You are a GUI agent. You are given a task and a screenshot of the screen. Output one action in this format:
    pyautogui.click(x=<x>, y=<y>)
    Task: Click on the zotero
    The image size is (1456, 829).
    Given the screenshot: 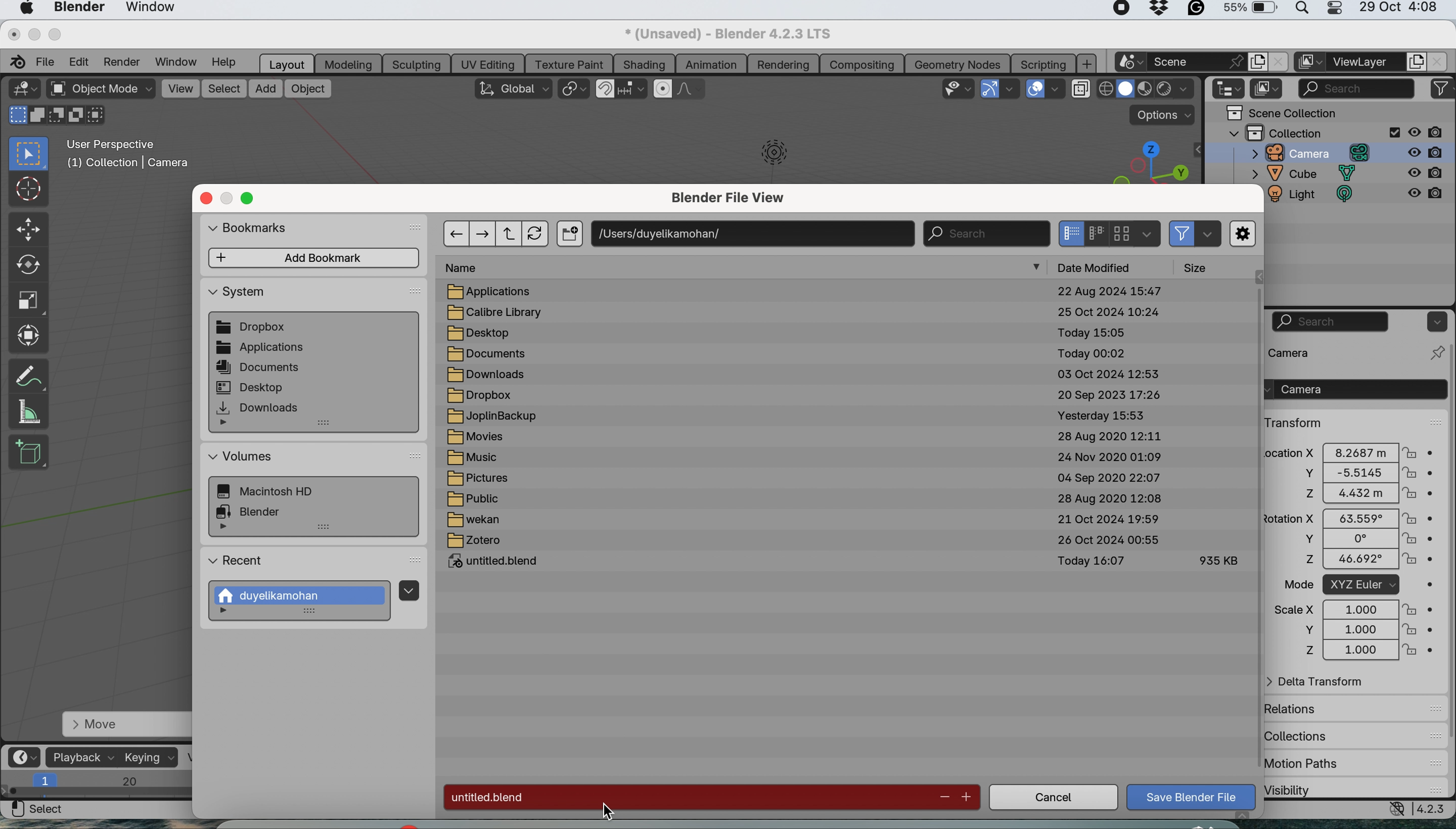 What is the action you would take?
    pyautogui.click(x=475, y=541)
    